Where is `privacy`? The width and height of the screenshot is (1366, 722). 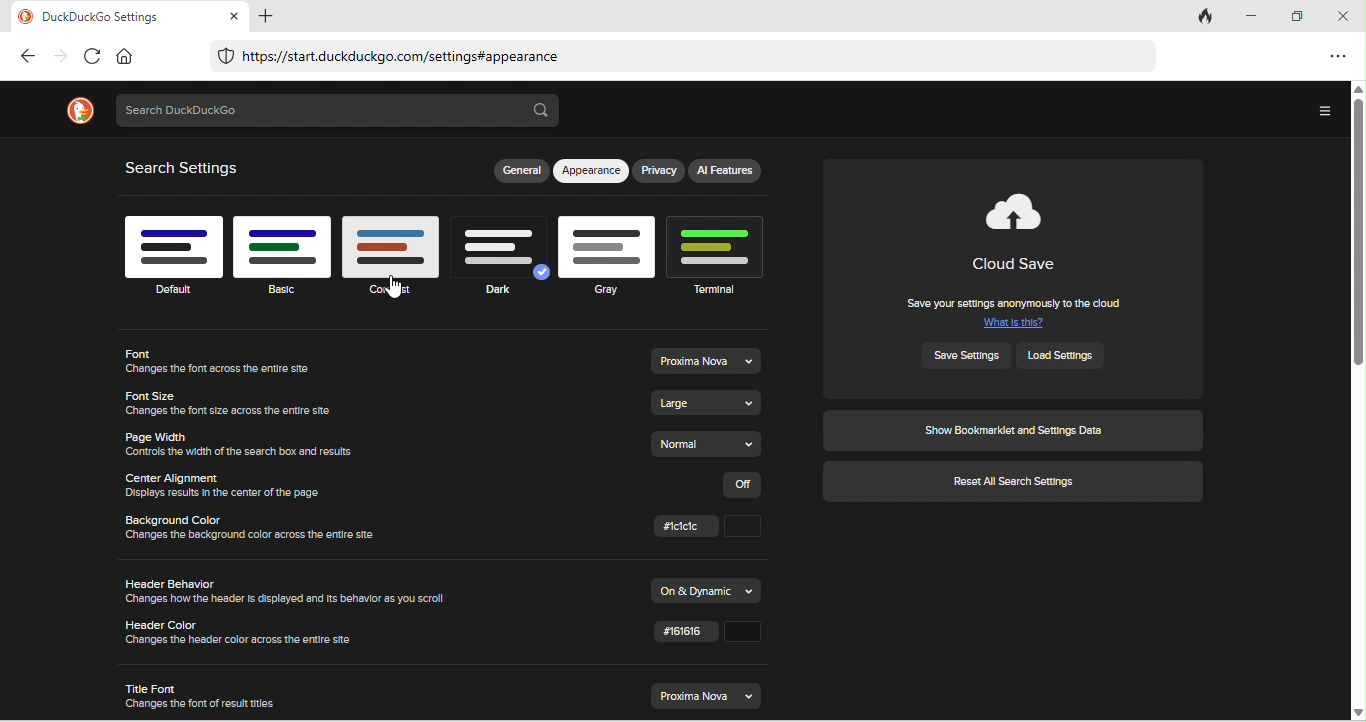
privacy is located at coordinates (660, 173).